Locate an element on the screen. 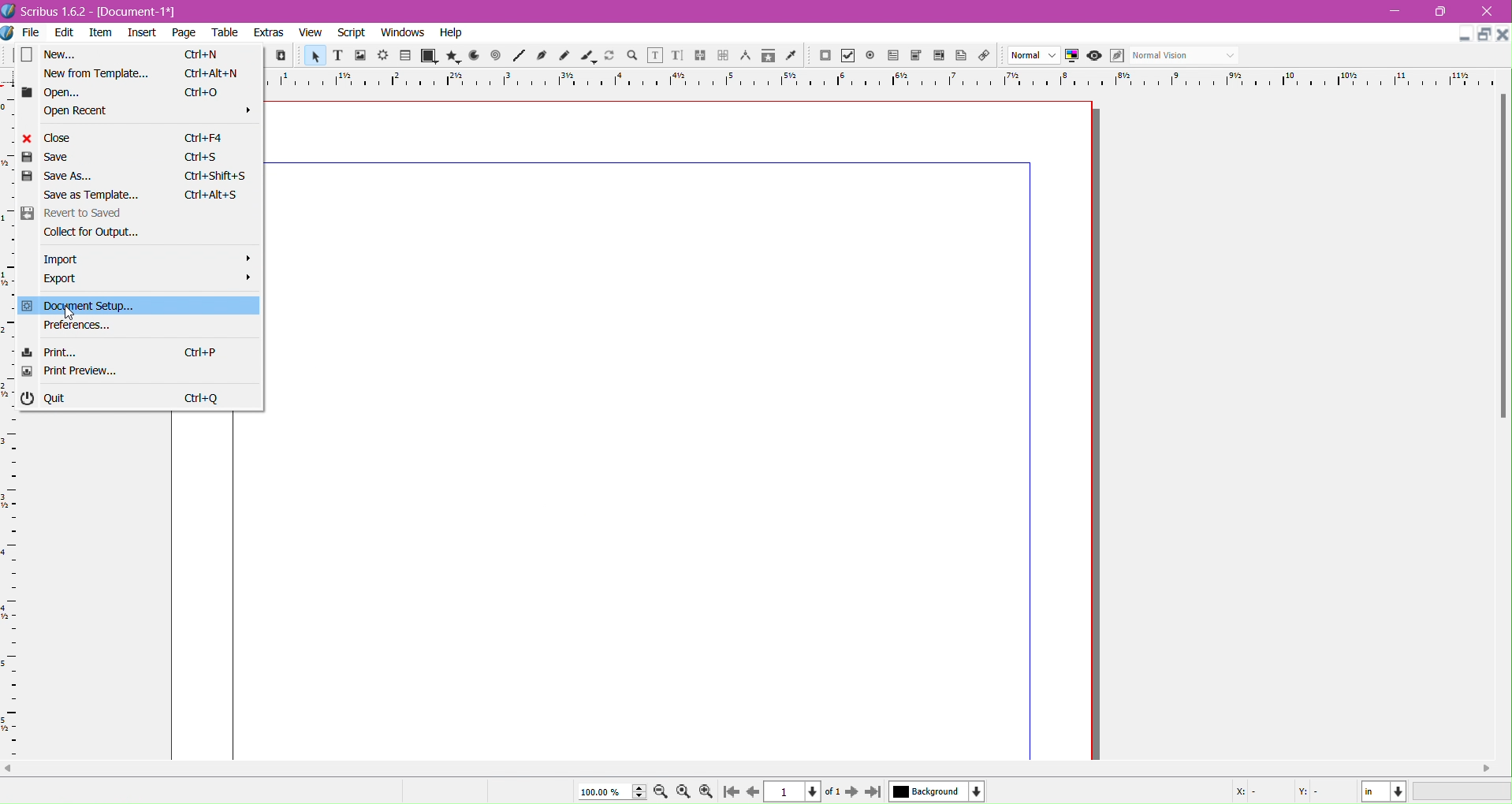 The height and width of the screenshot is (804, 1512). keyboard shortcut is located at coordinates (215, 177).